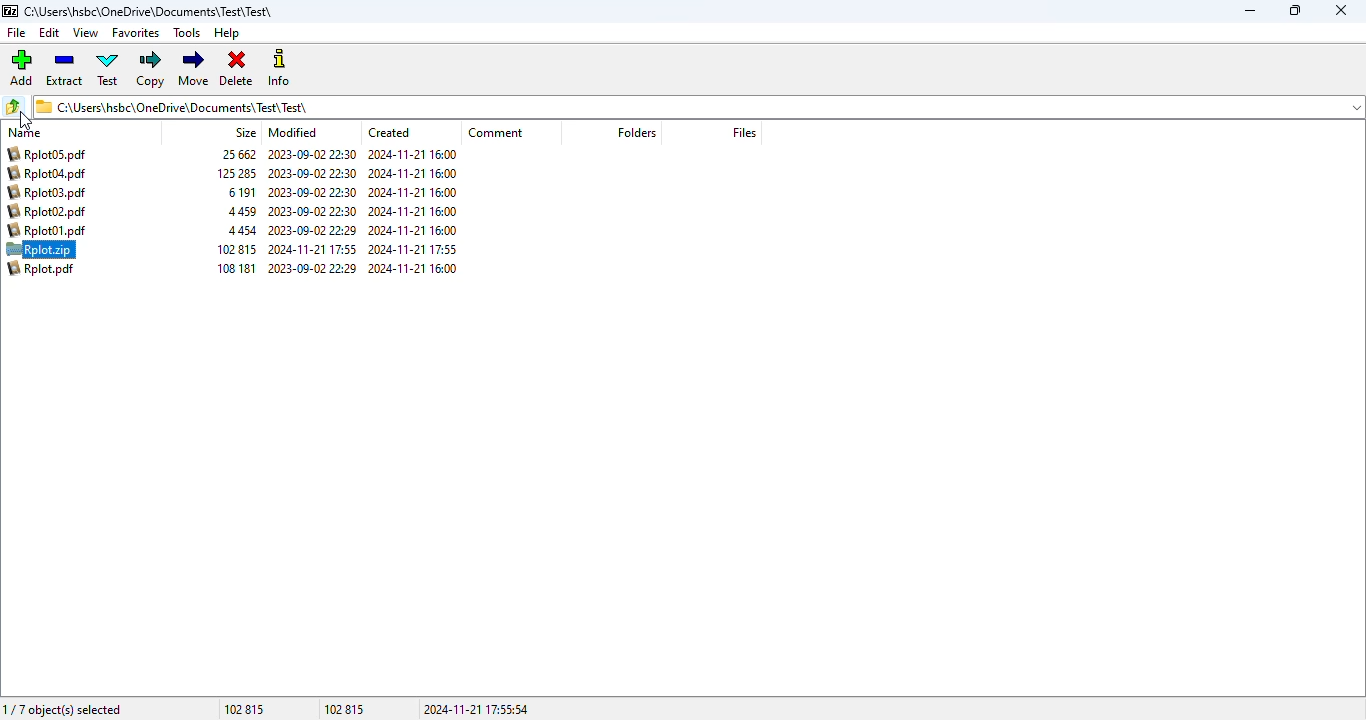 The image size is (1366, 720). What do you see at coordinates (637, 133) in the screenshot?
I see `folders` at bounding box center [637, 133].